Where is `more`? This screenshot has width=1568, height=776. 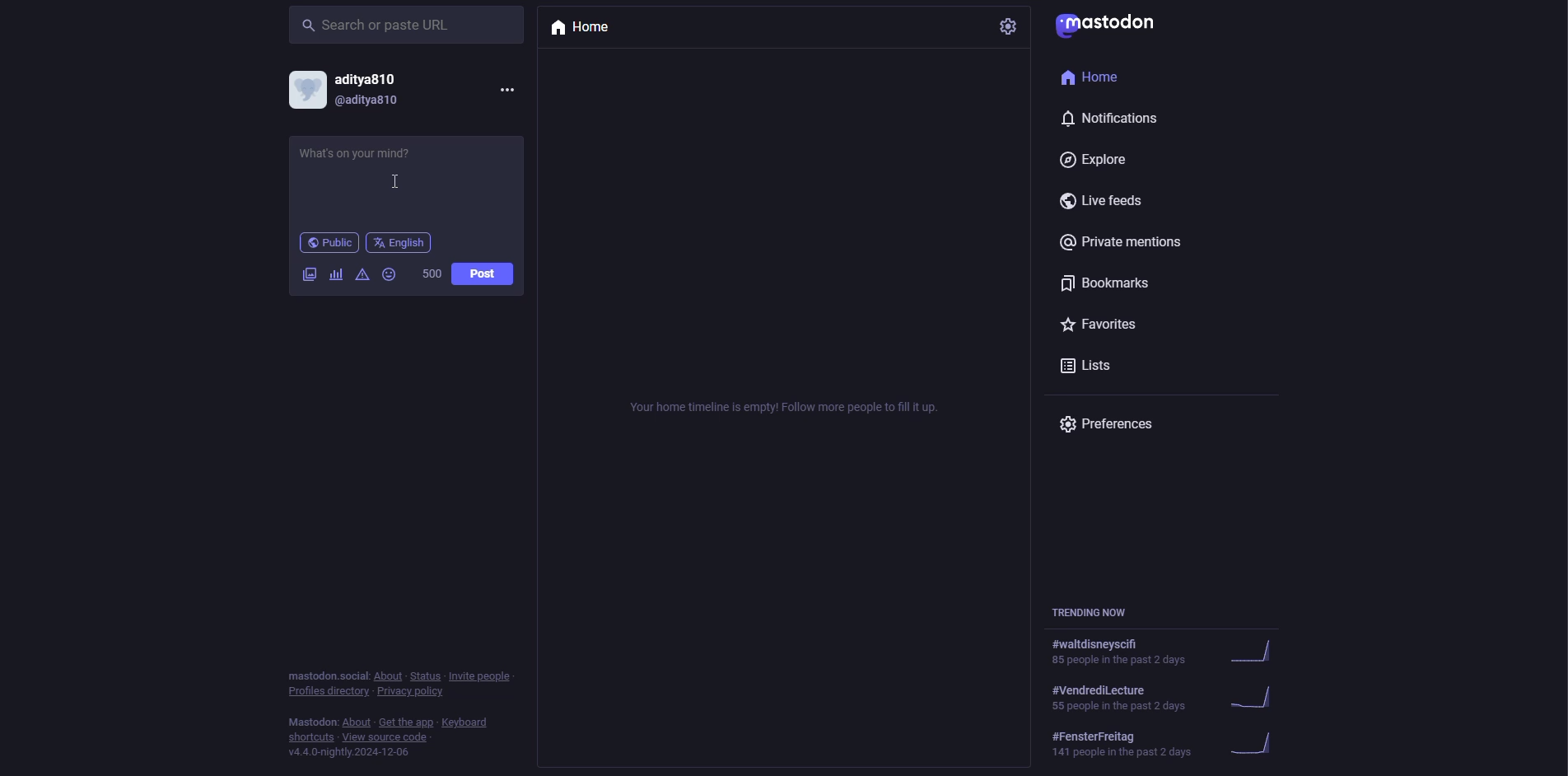 more is located at coordinates (506, 89).